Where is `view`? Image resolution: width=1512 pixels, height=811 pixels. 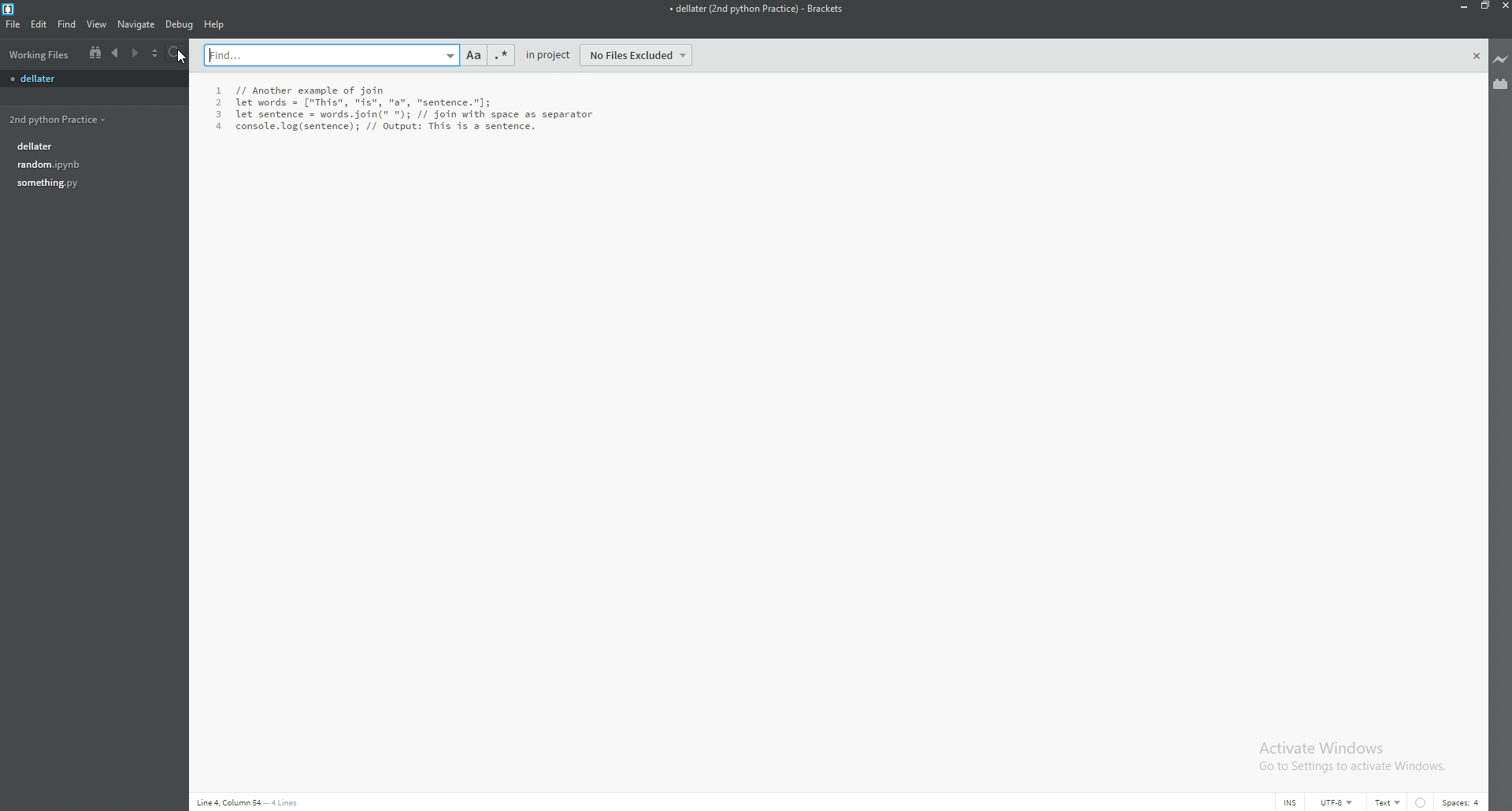
view is located at coordinates (97, 25).